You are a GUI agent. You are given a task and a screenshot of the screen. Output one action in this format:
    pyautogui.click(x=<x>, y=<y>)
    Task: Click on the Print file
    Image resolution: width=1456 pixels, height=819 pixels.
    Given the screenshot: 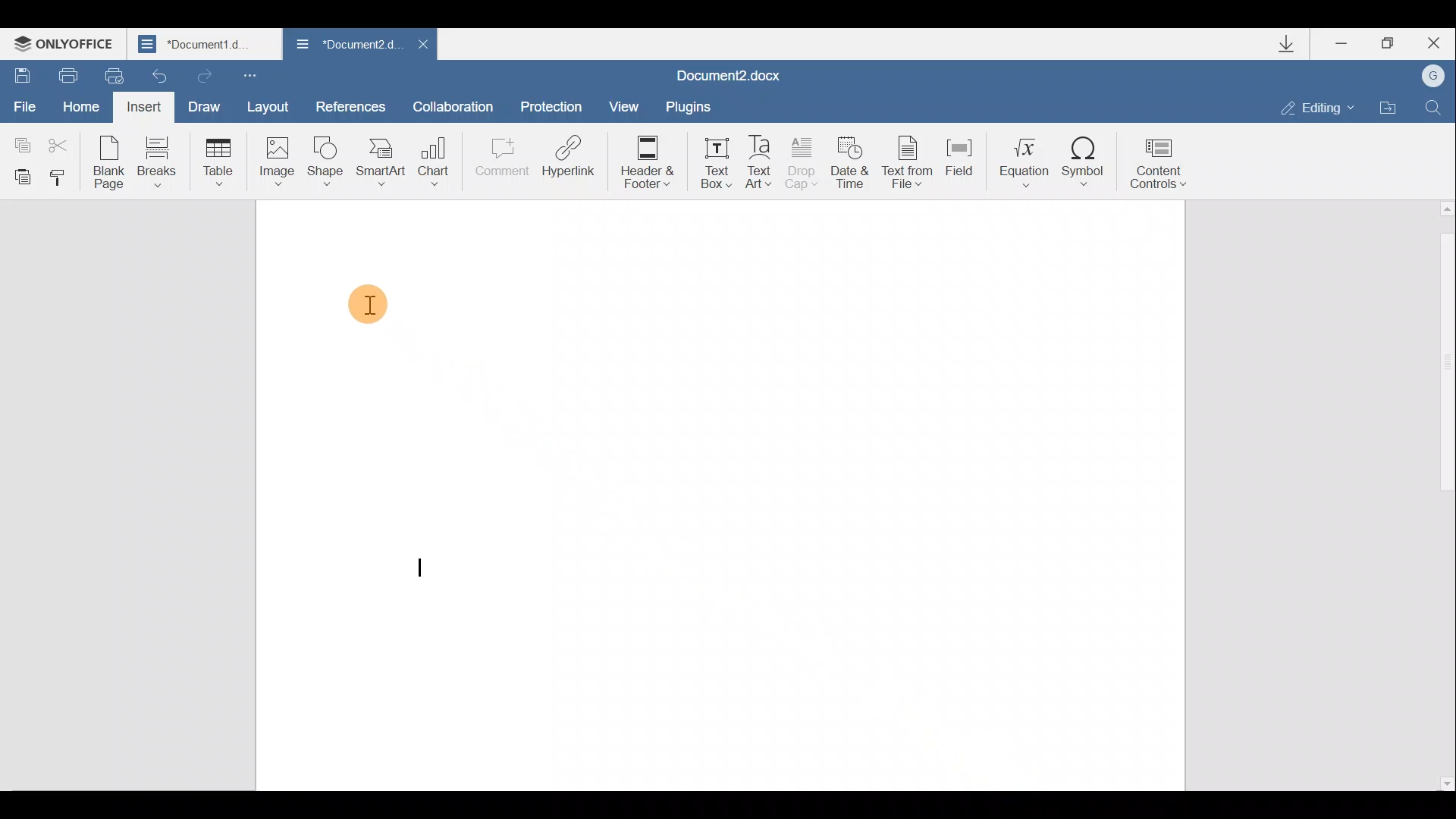 What is the action you would take?
    pyautogui.click(x=67, y=73)
    